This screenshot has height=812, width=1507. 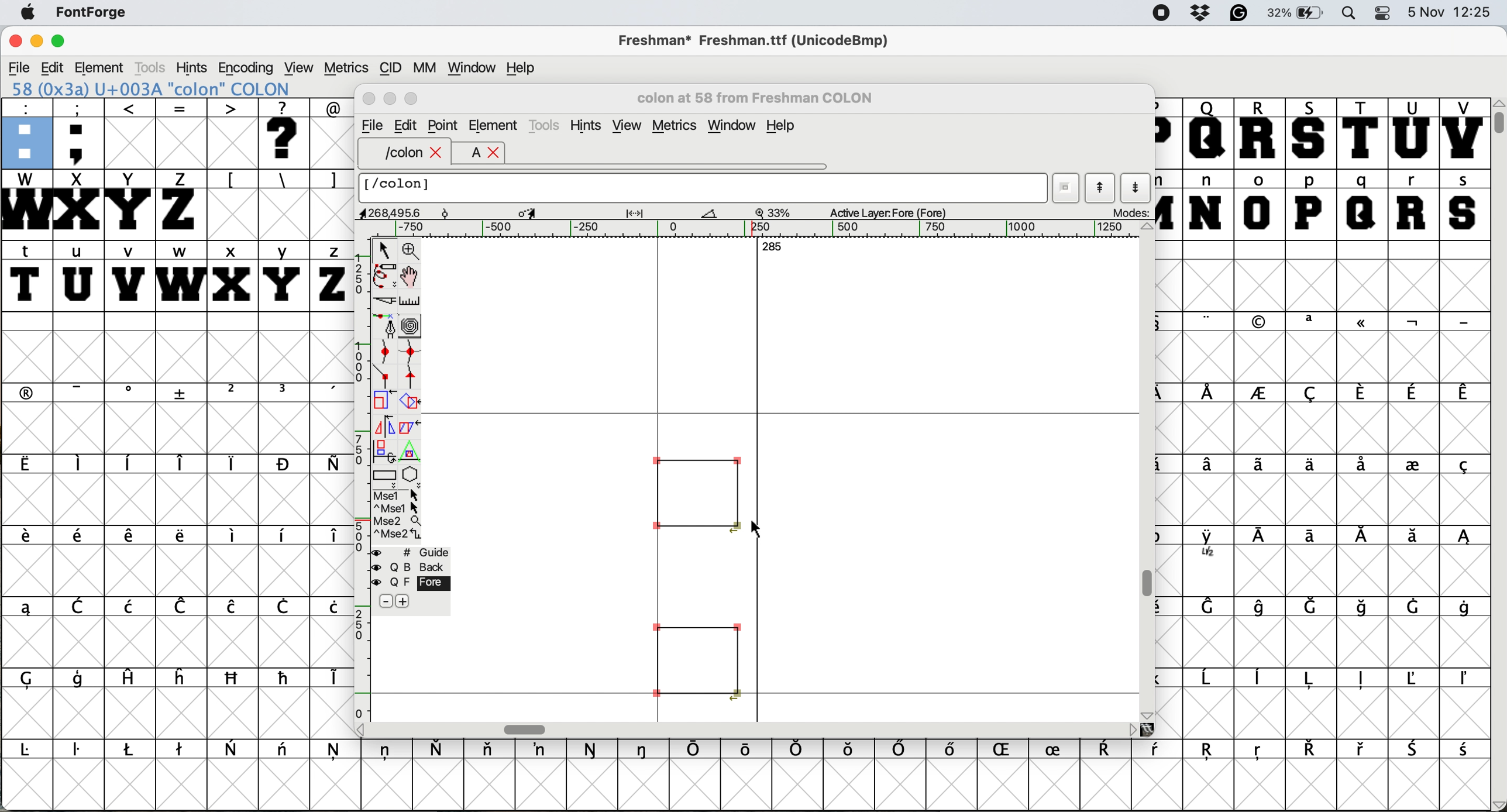 What do you see at coordinates (410, 602) in the screenshot?
I see `add` at bounding box center [410, 602].